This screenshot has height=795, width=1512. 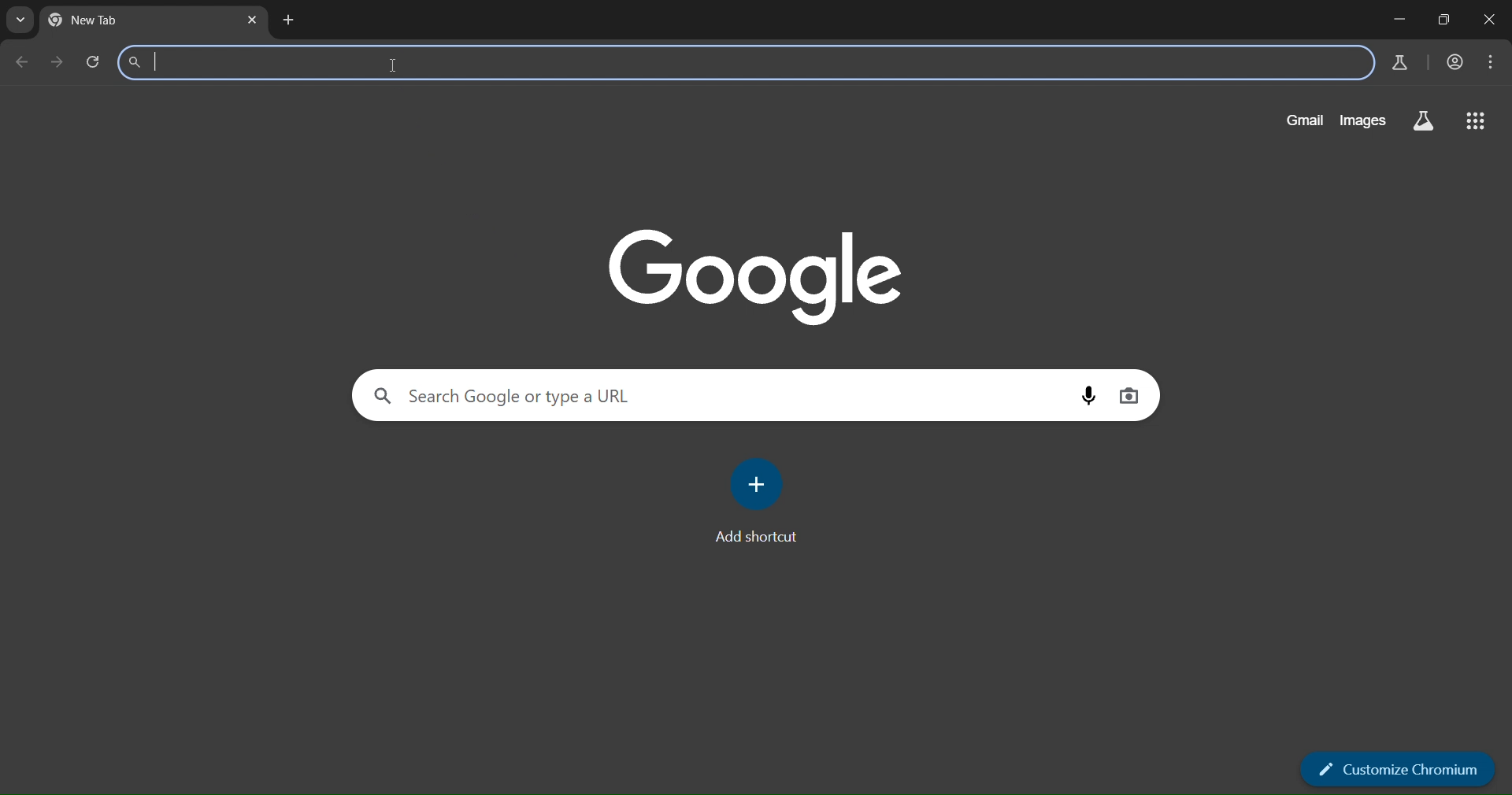 What do you see at coordinates (1456, 62) in the screenshot?
I see `accounts` at bounding box center [1456, 62].